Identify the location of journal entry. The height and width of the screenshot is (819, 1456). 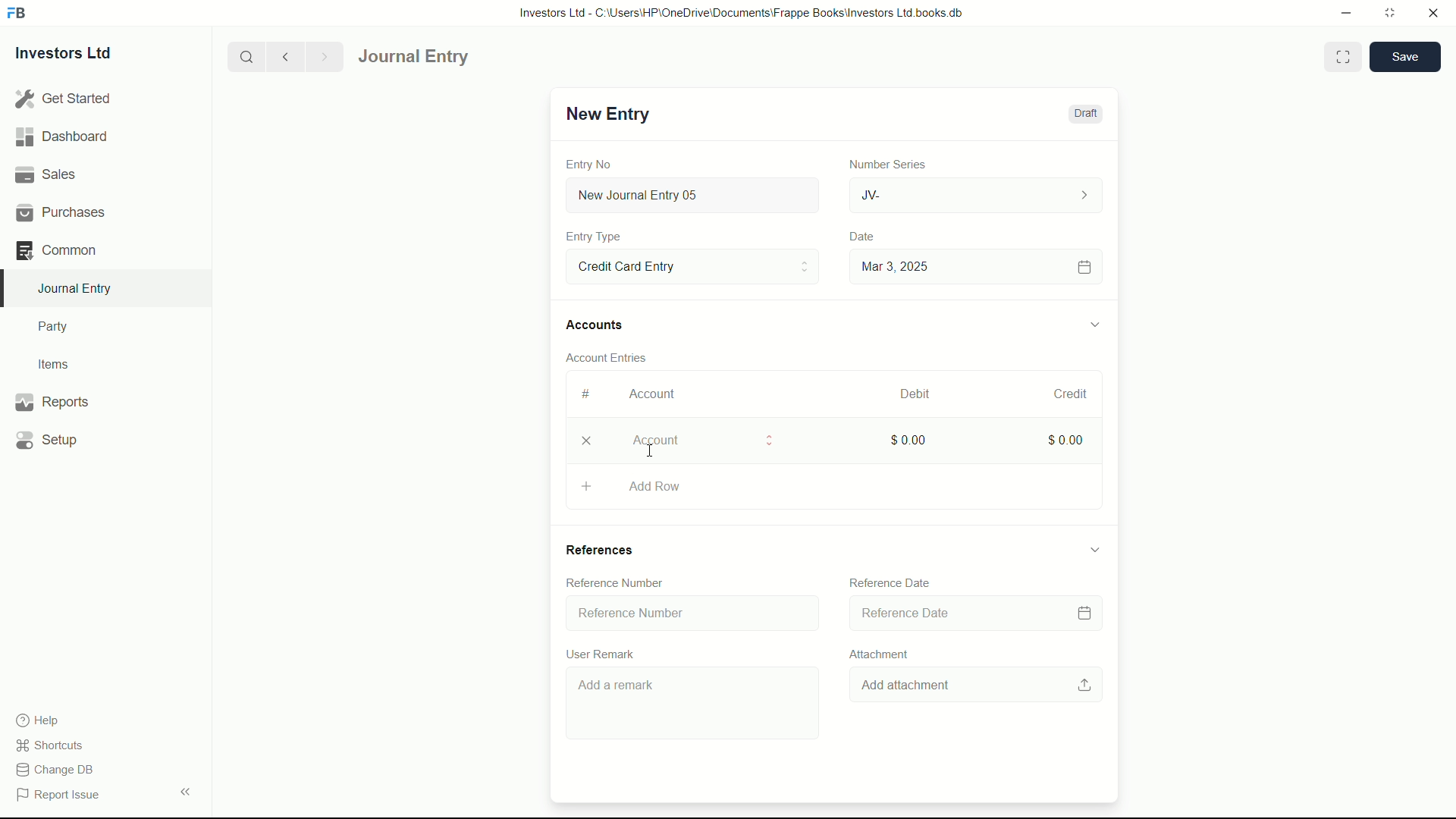
(457, 57).